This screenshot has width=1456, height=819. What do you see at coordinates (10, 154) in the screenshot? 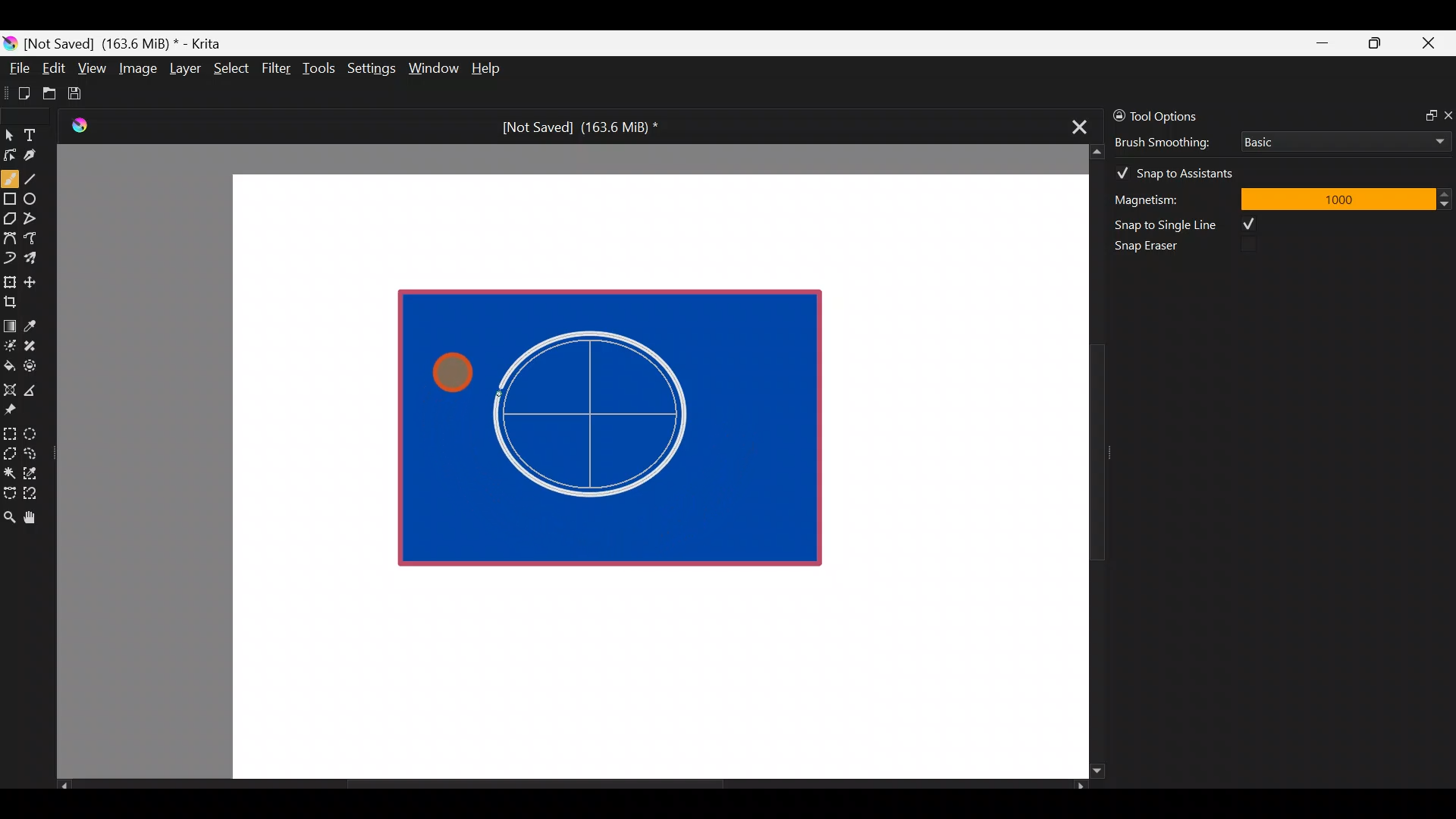
I see `Edit shapes tool` at bounding box center [10, 154].